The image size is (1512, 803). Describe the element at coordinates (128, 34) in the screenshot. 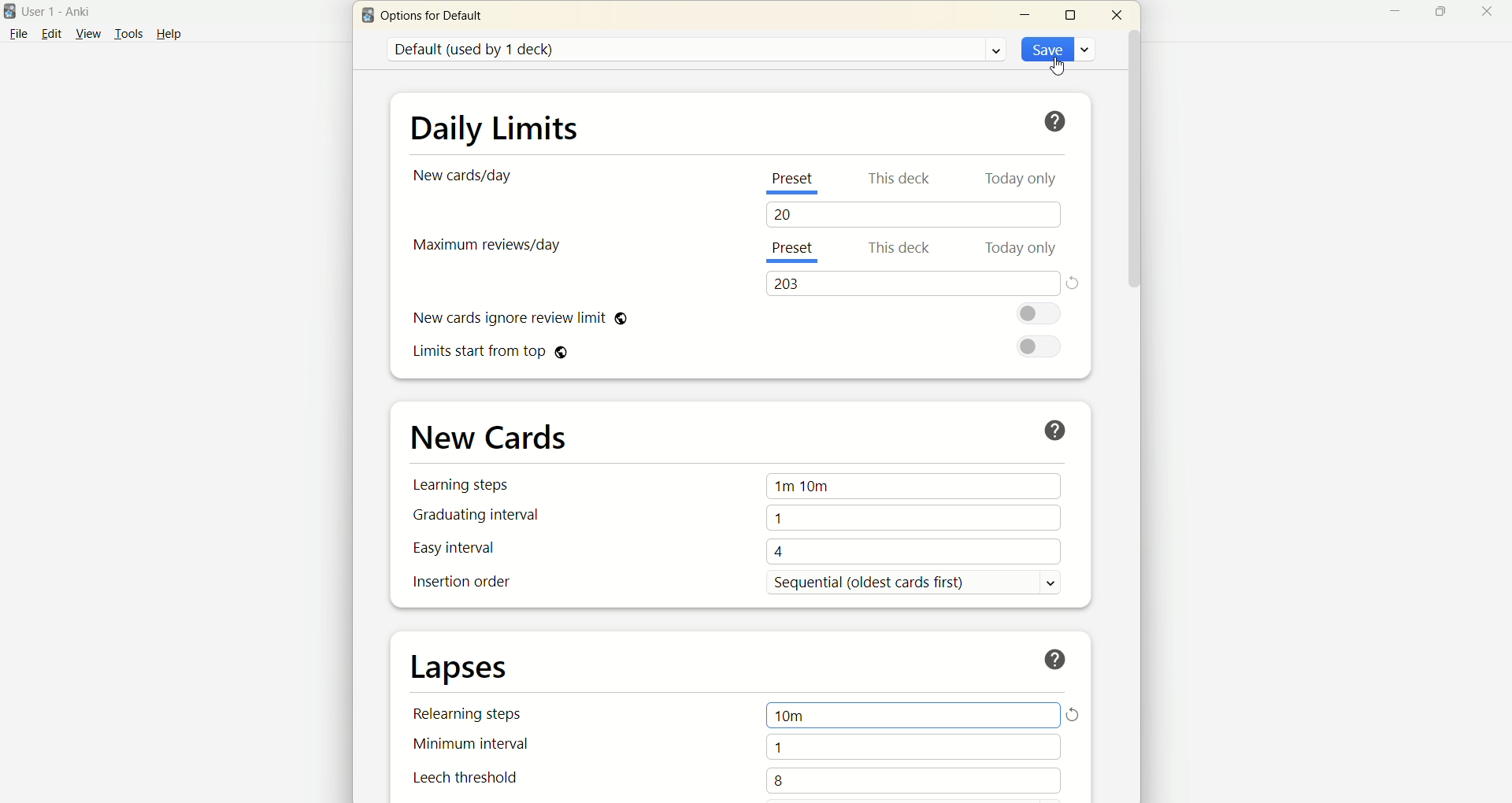

I see `tools` at that location.